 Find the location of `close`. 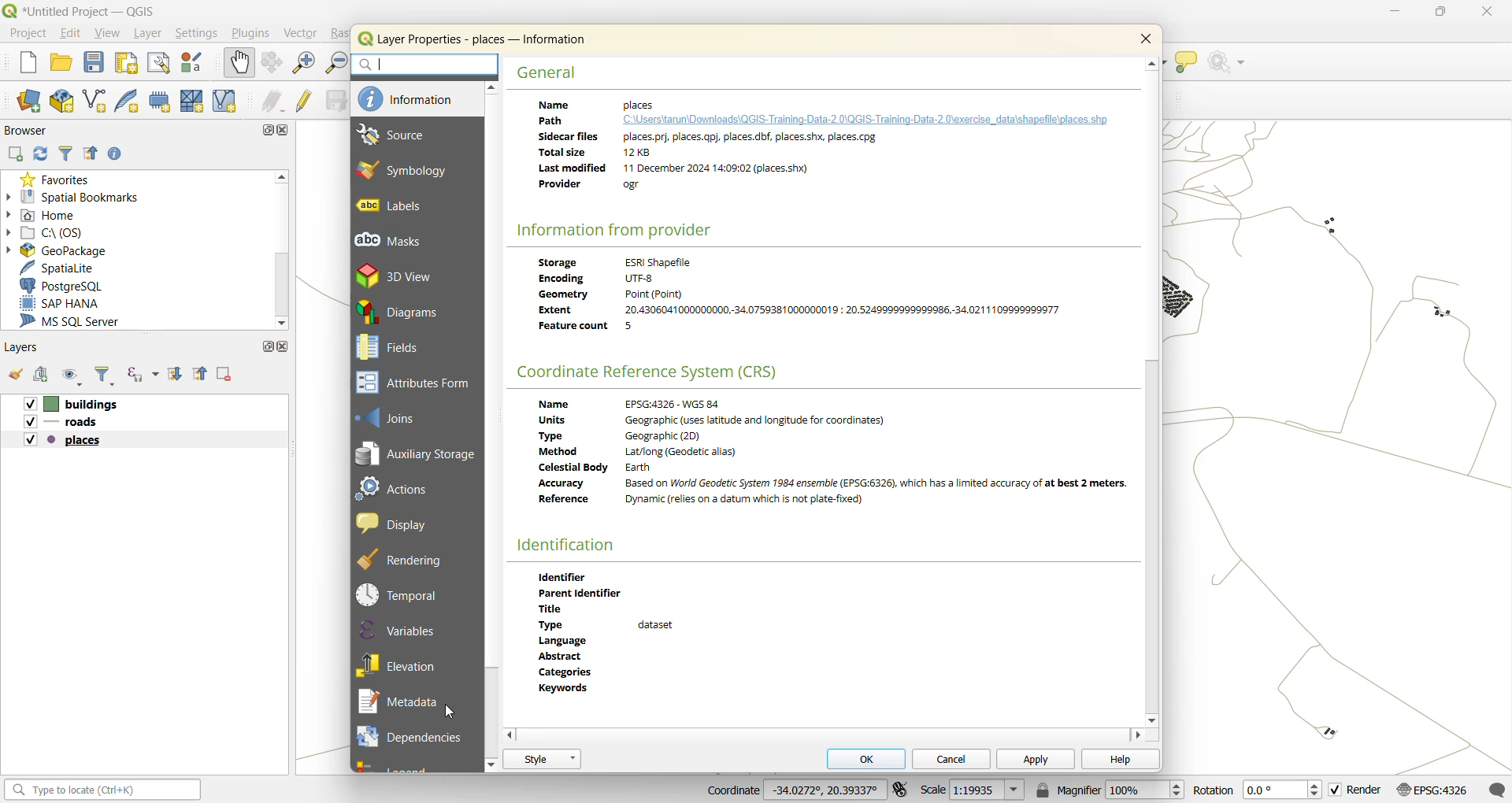

close is located at coordinates (1148, 39).